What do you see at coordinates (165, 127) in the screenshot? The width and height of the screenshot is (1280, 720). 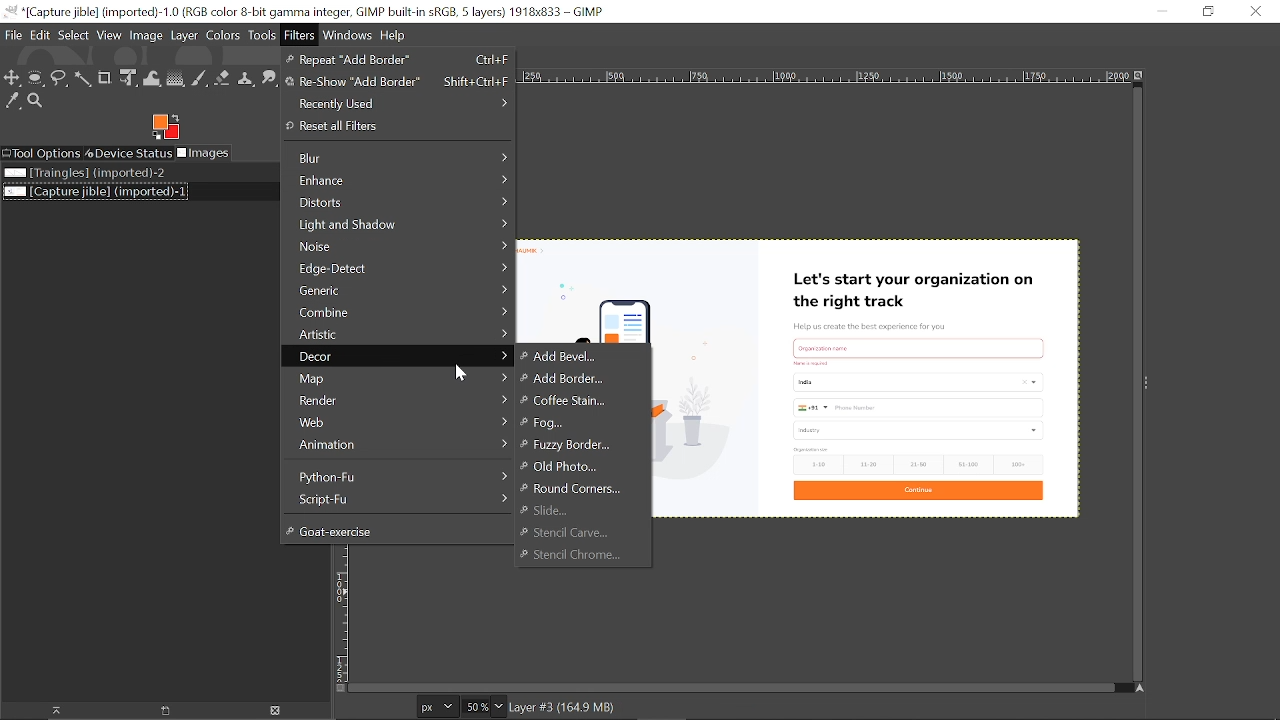 I see `Foreground color` at bounding box center [165, 127].